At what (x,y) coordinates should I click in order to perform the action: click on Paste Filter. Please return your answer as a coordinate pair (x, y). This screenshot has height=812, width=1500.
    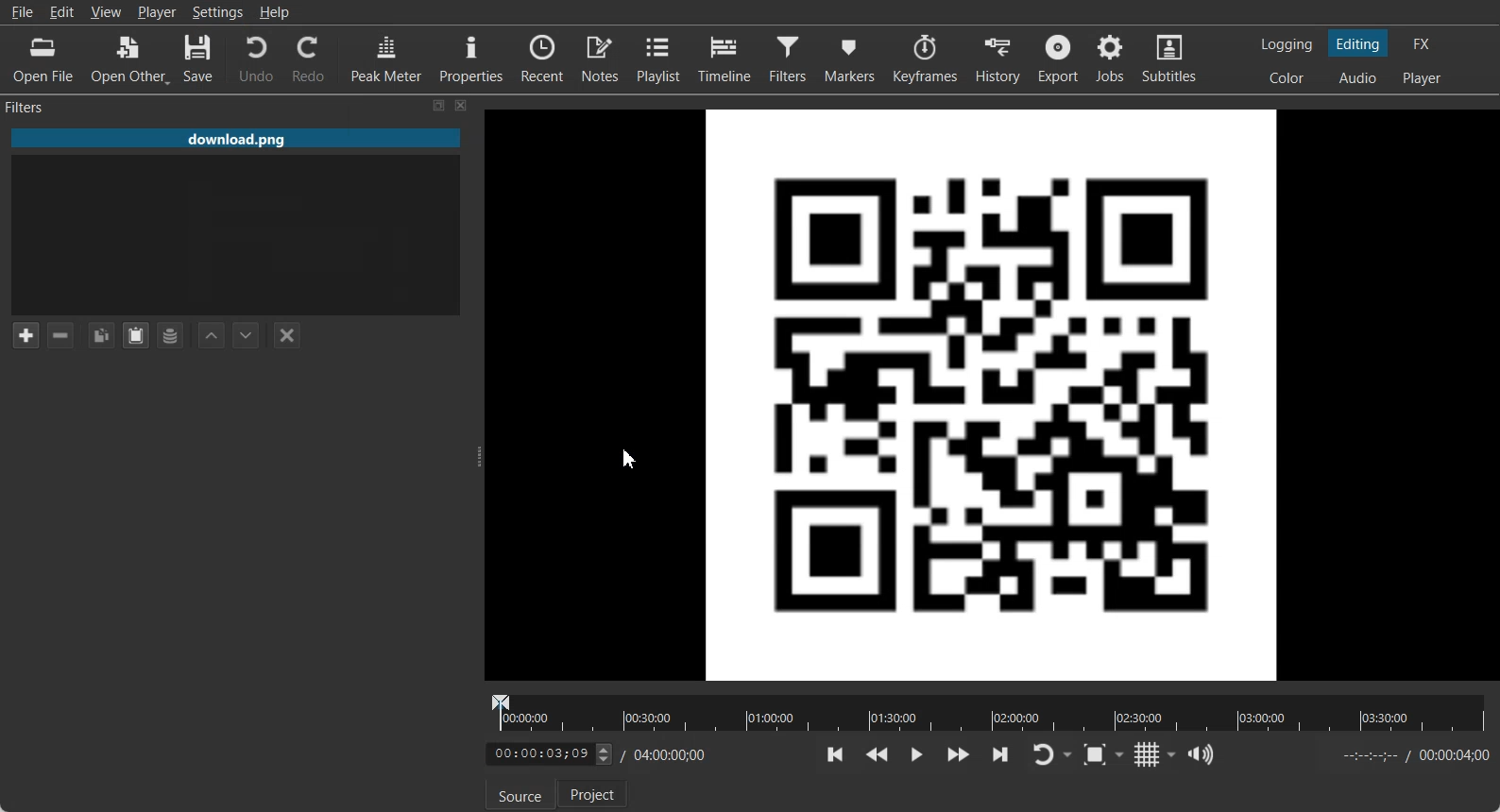
    Looking at the image, I should click on (136, 335).